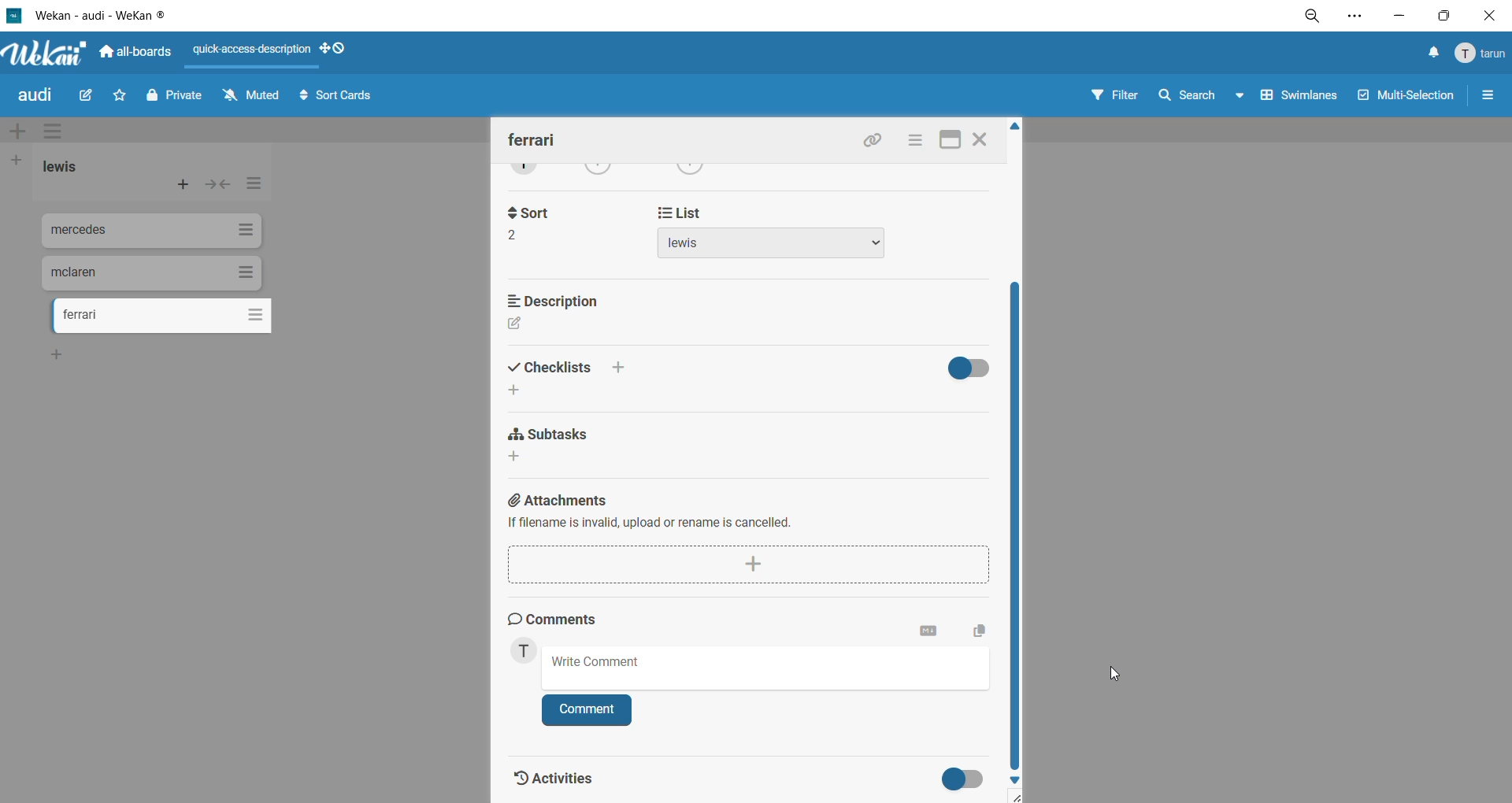 Image resolution: width=1512 pixels, height=803 pixels. I want to click on cards, so click(152, 273).